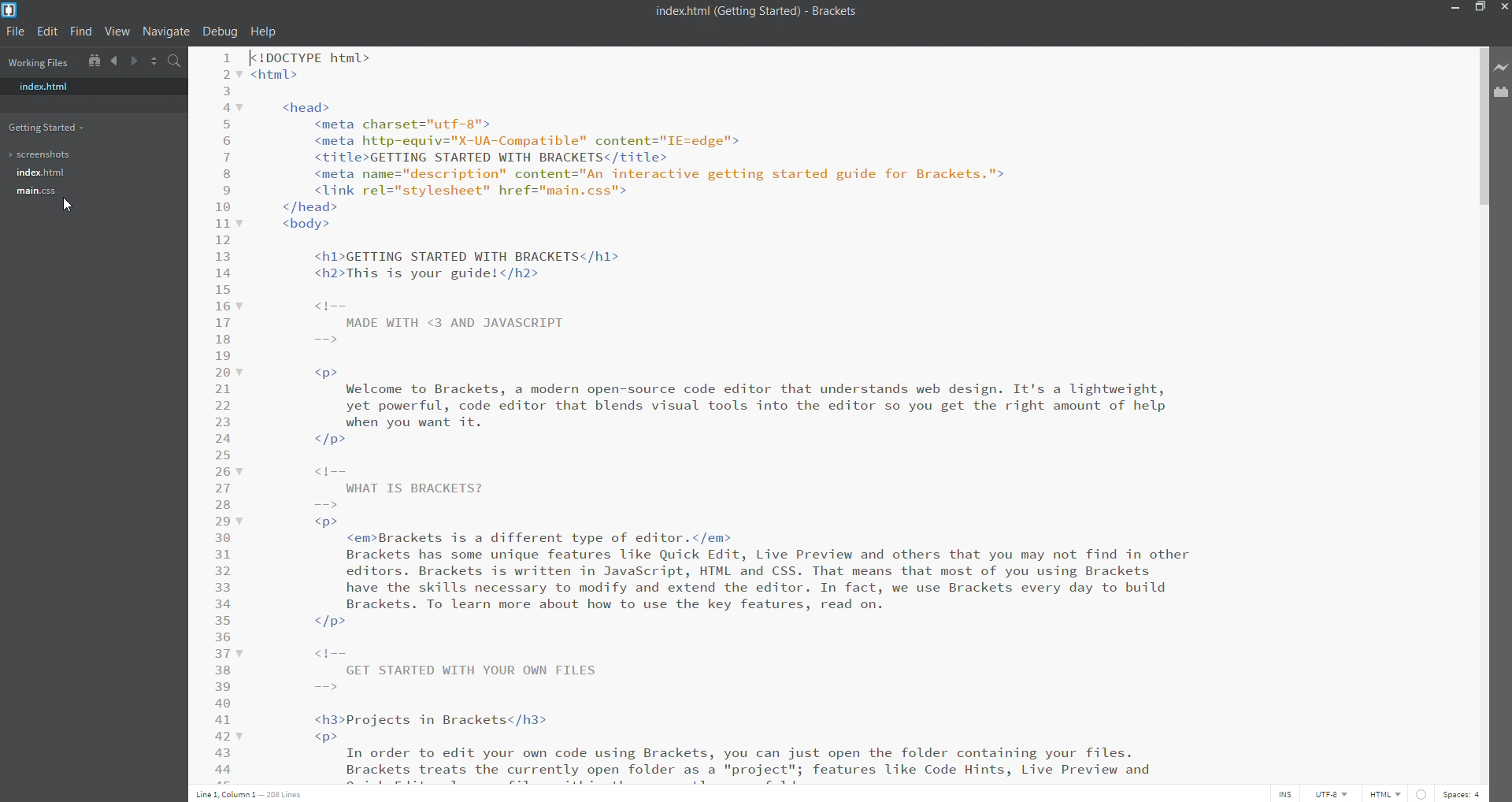 This screenshot has width=1512, height=802. I want to click on encoding: UTF-8, so click(1333, 793).